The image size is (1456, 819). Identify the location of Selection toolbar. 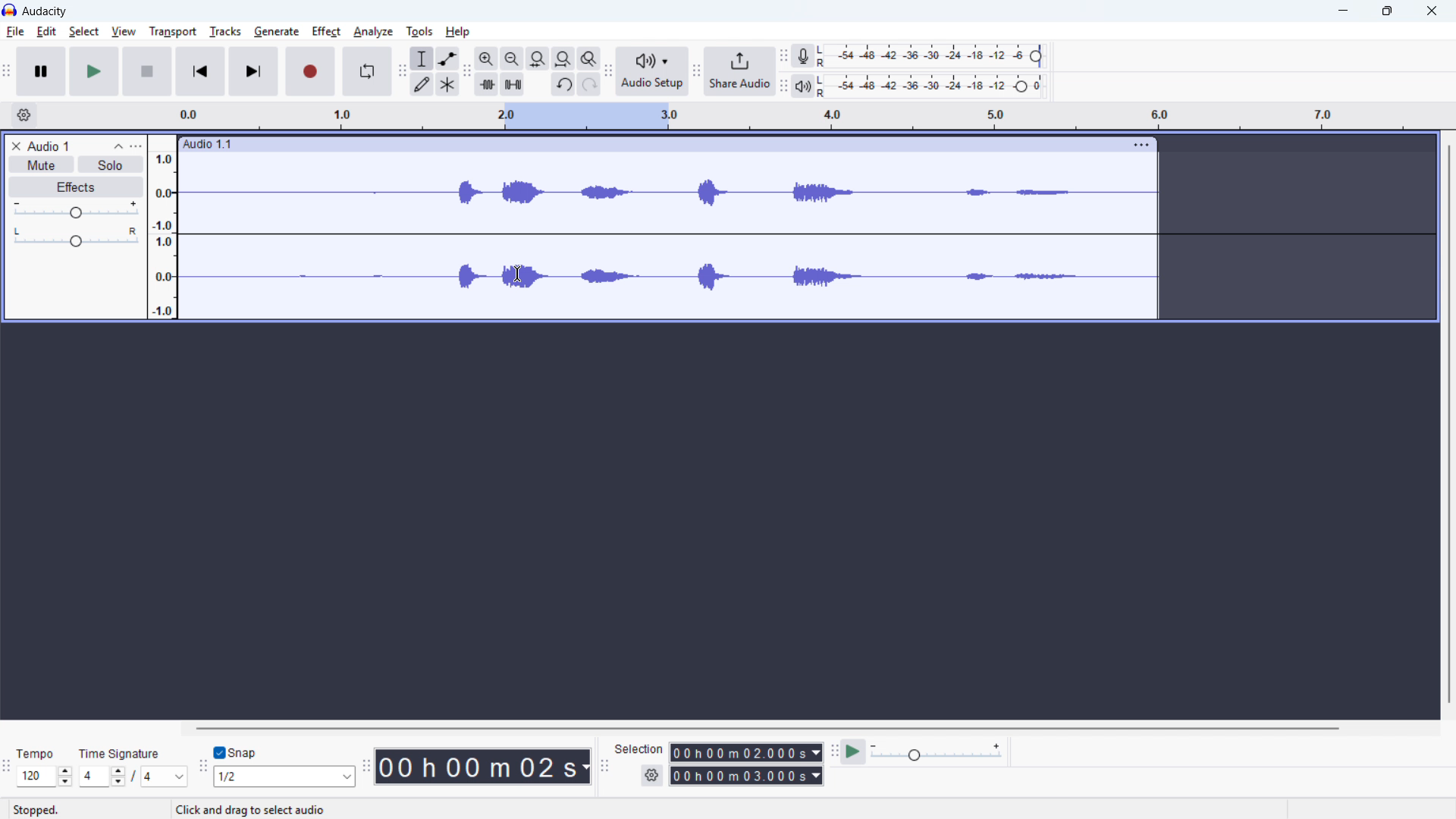
(607, 768).